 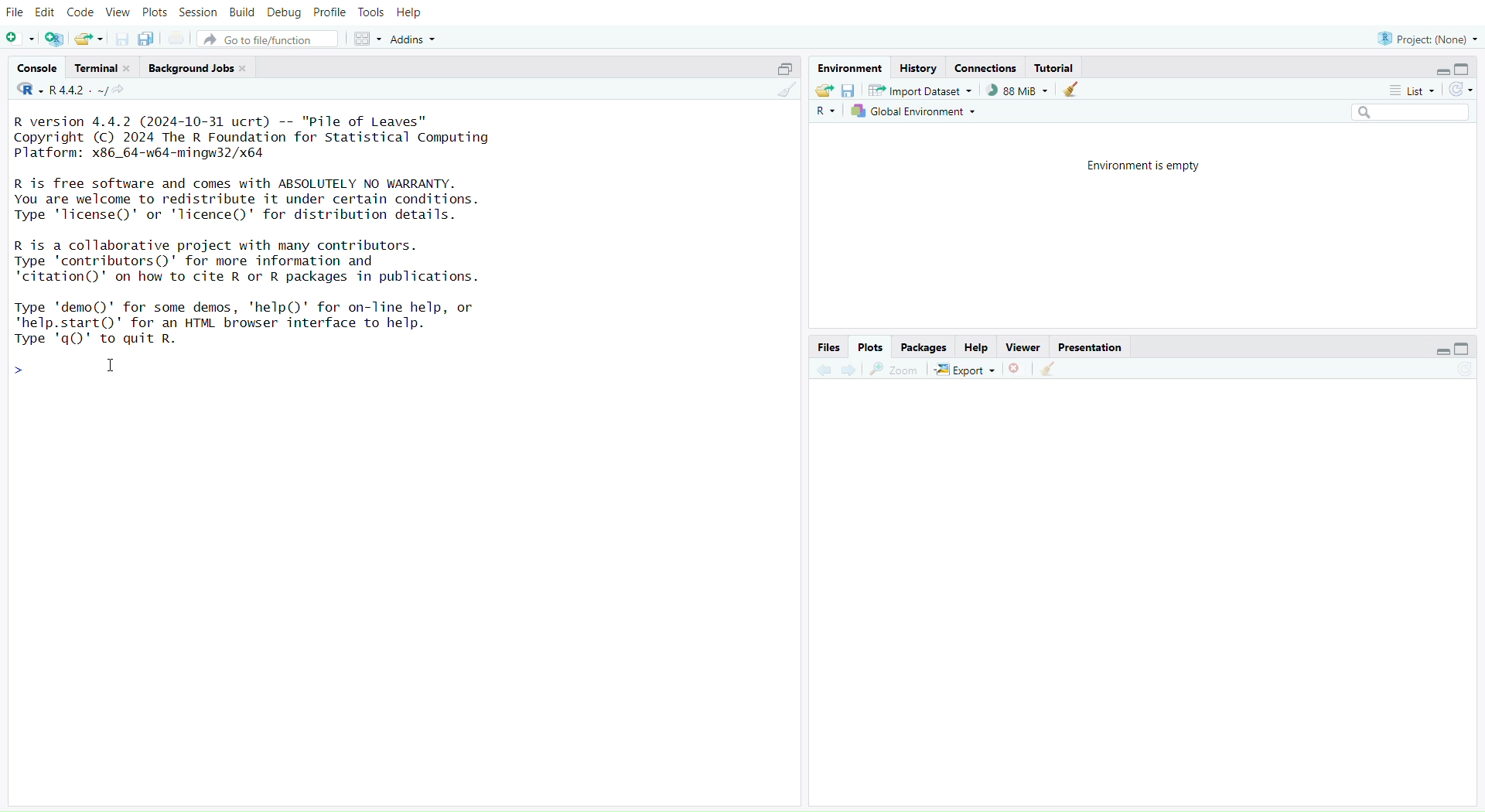 I want to click on refresh list, so click(x=1460, y=88).